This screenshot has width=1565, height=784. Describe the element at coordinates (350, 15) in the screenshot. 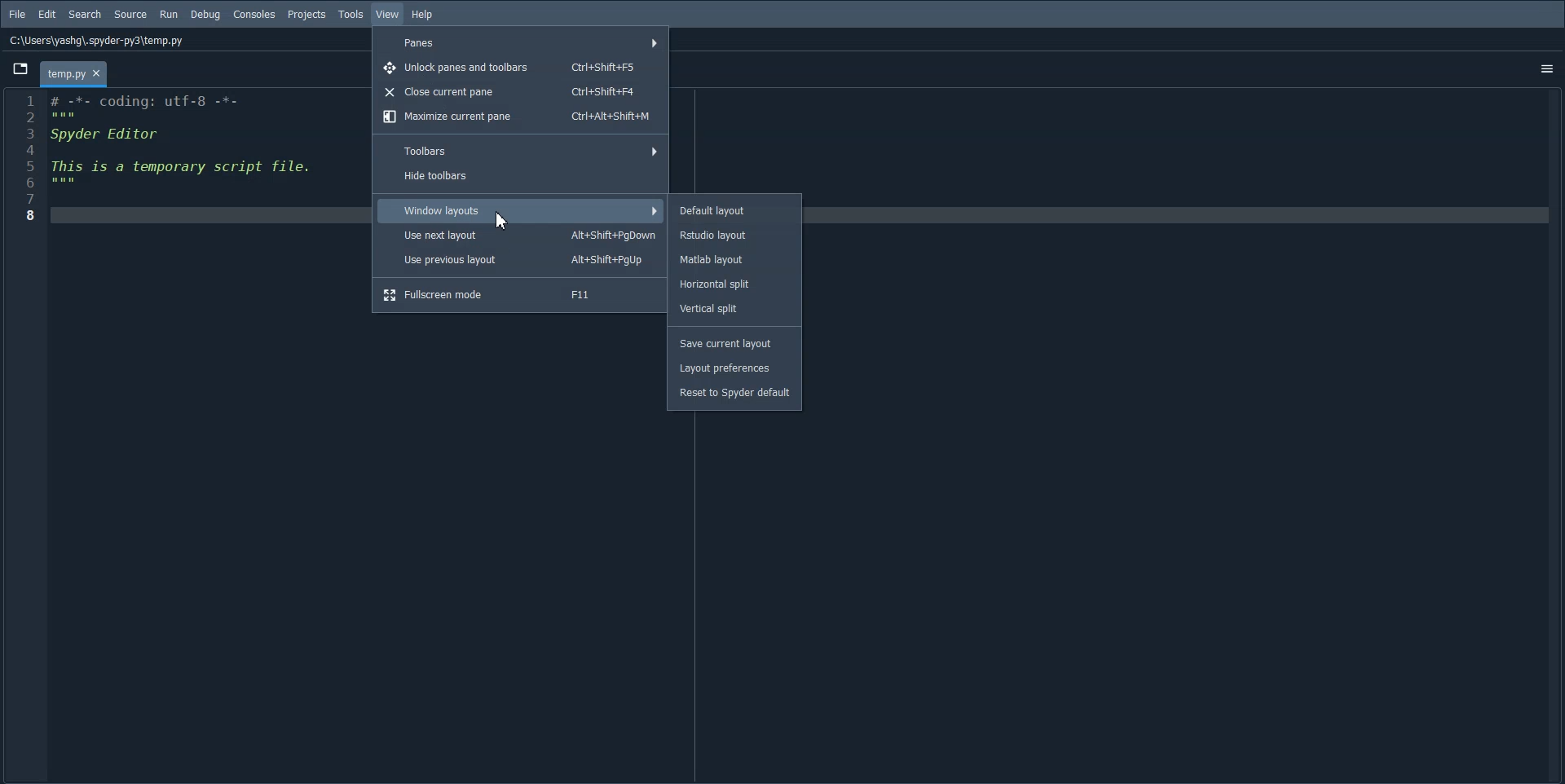

I see `Tools` at that location.